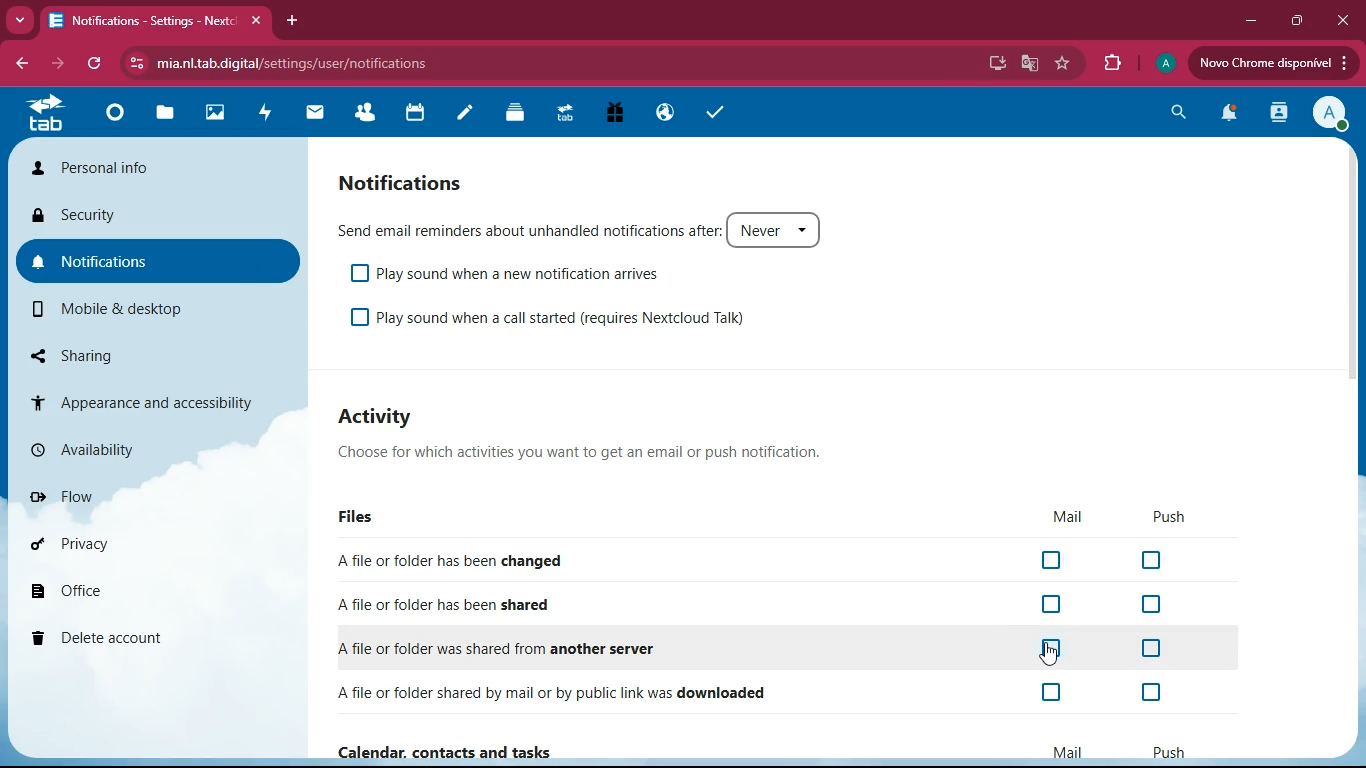  Describe the element at coordinates (44, 115) in the screenshot. I see `tab` at that location.